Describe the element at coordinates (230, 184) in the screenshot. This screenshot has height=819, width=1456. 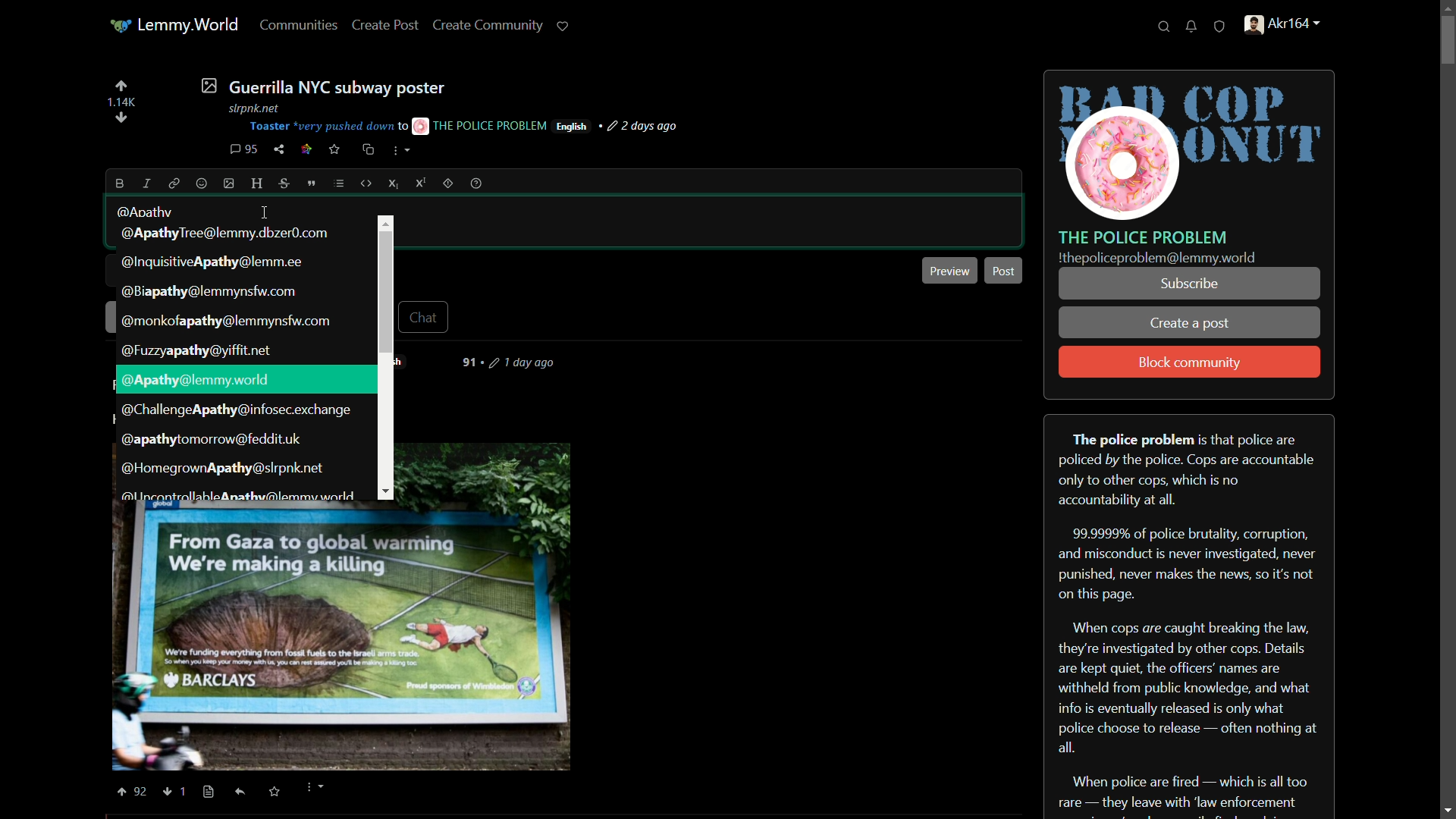
I see `image` at that location.